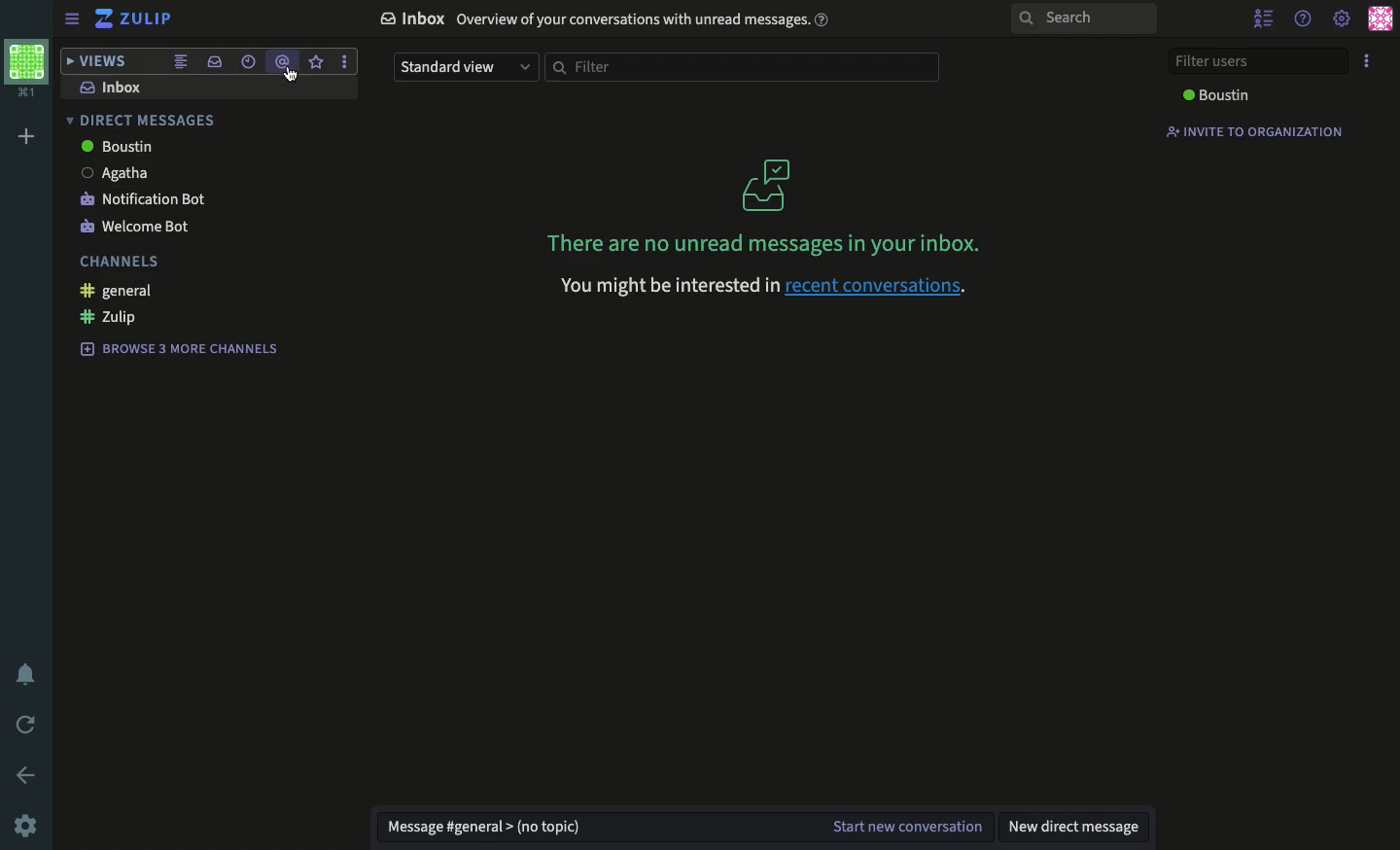  Describe the element at coordinates (741, 68) in the screenshot. I see `filter` at that location.